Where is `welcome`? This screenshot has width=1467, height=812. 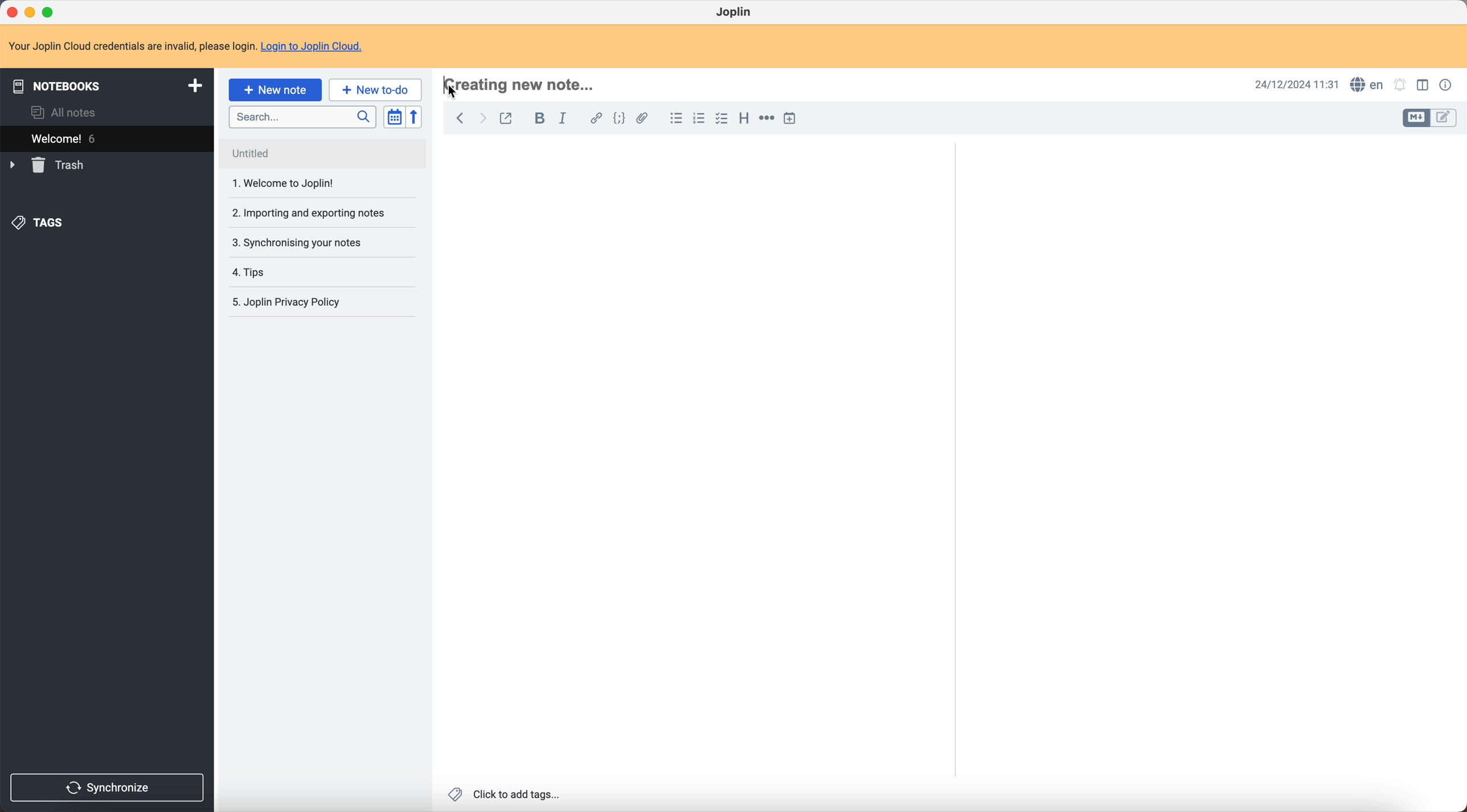
welcome is located at coordinates (108, 138).